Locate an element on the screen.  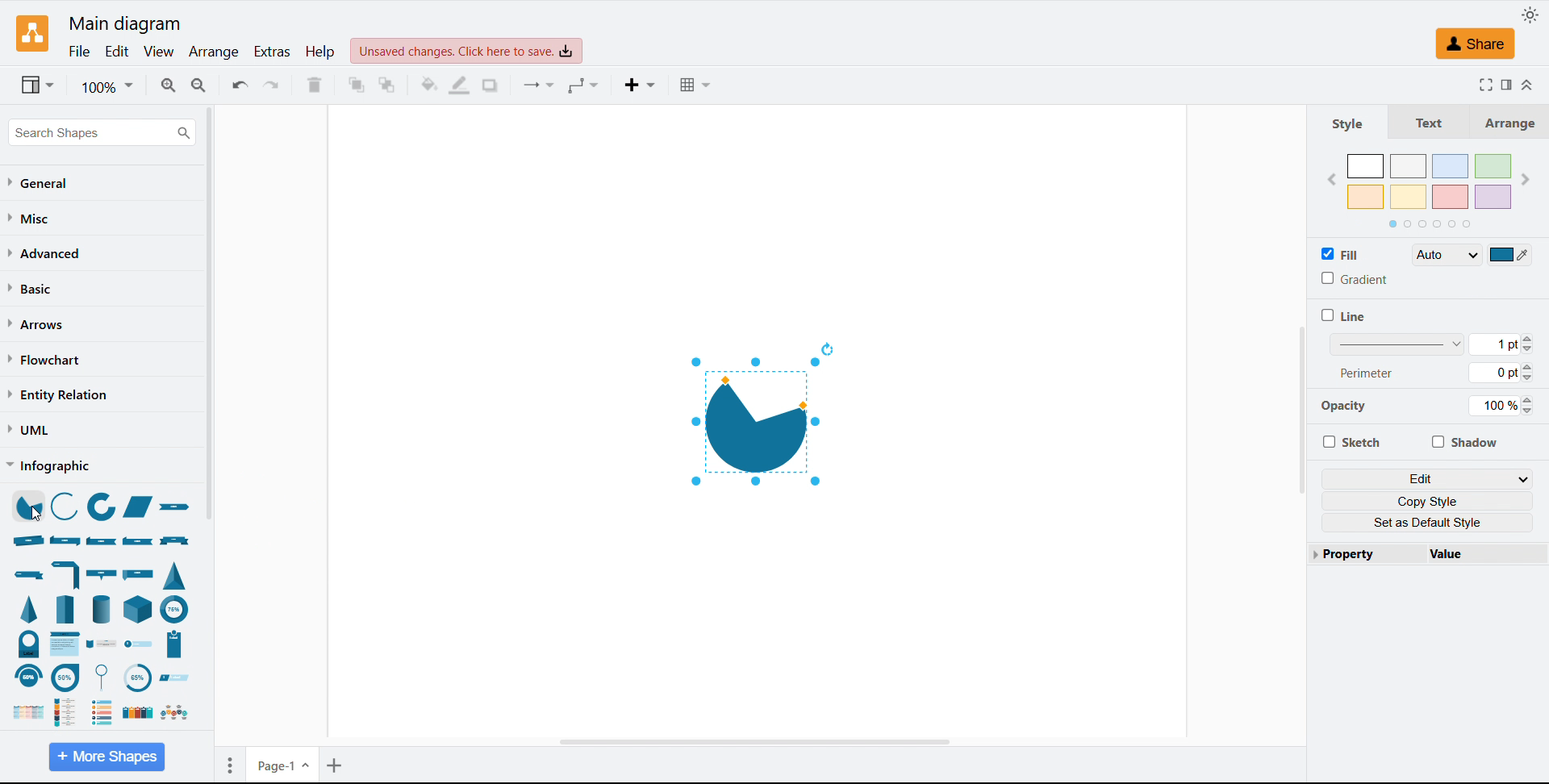
line  is located at coordinates (1343, 315).